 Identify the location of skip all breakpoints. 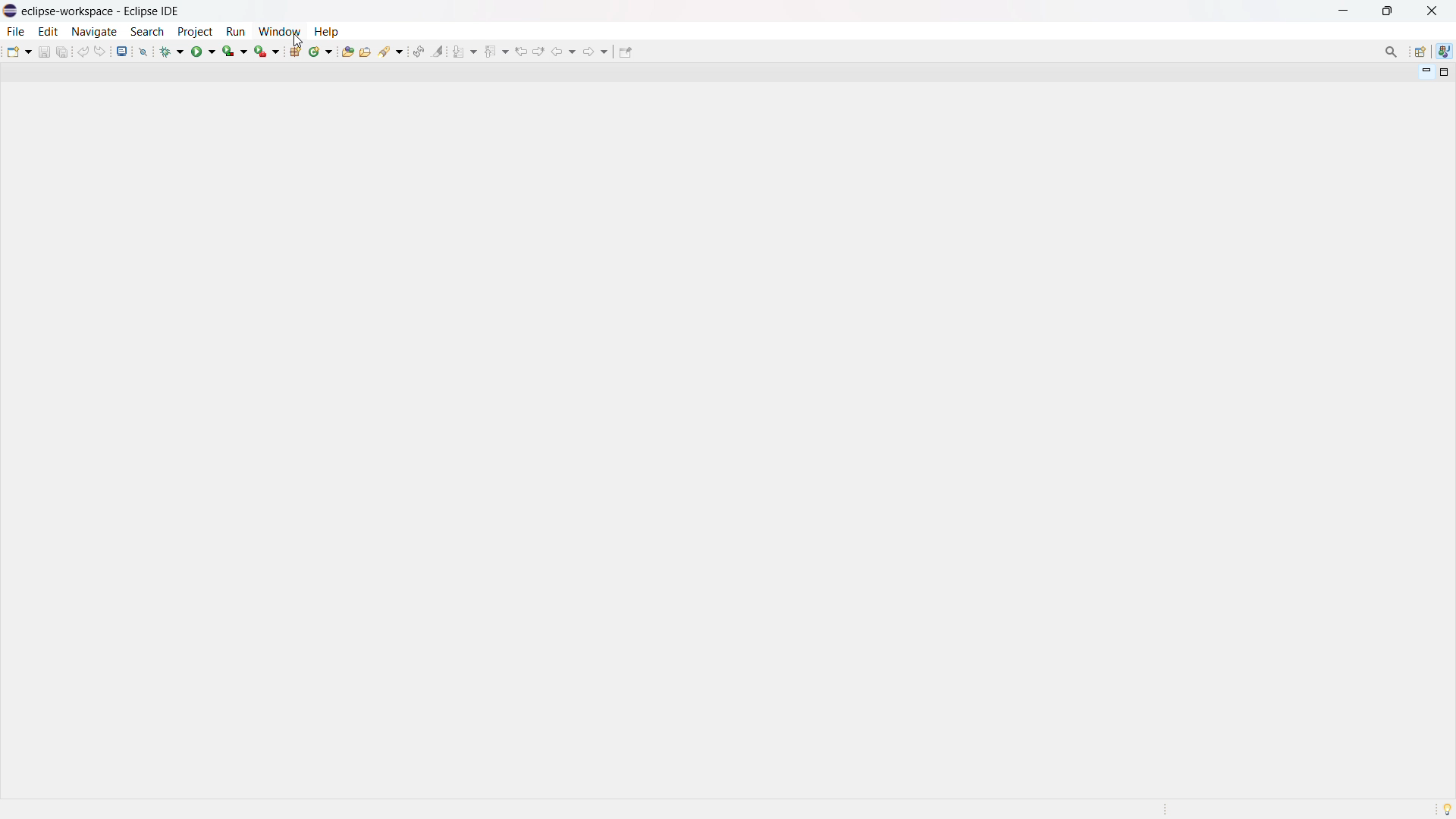
(143, 51).